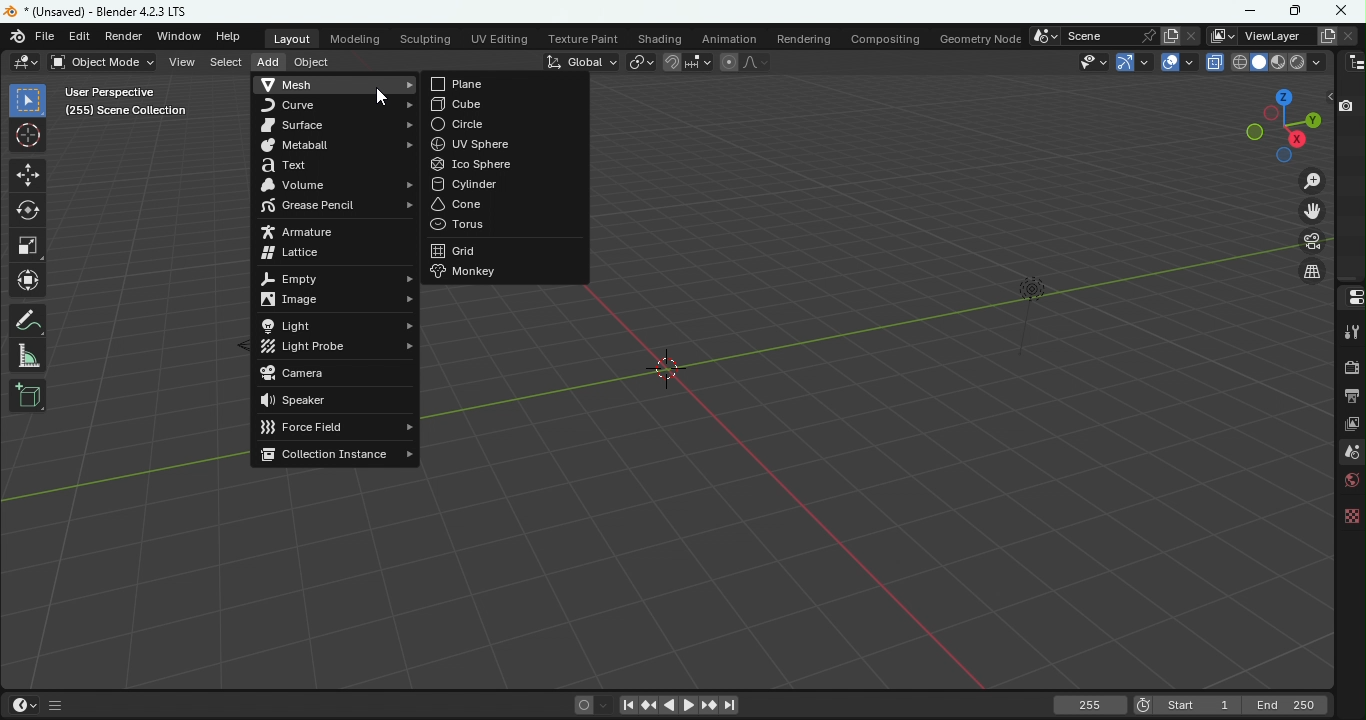 This screenshot has width=1366, height=720. What do you see at coordinates (314, 64) in the screenshot?
I see `Object` at bounding box center [314, 64].